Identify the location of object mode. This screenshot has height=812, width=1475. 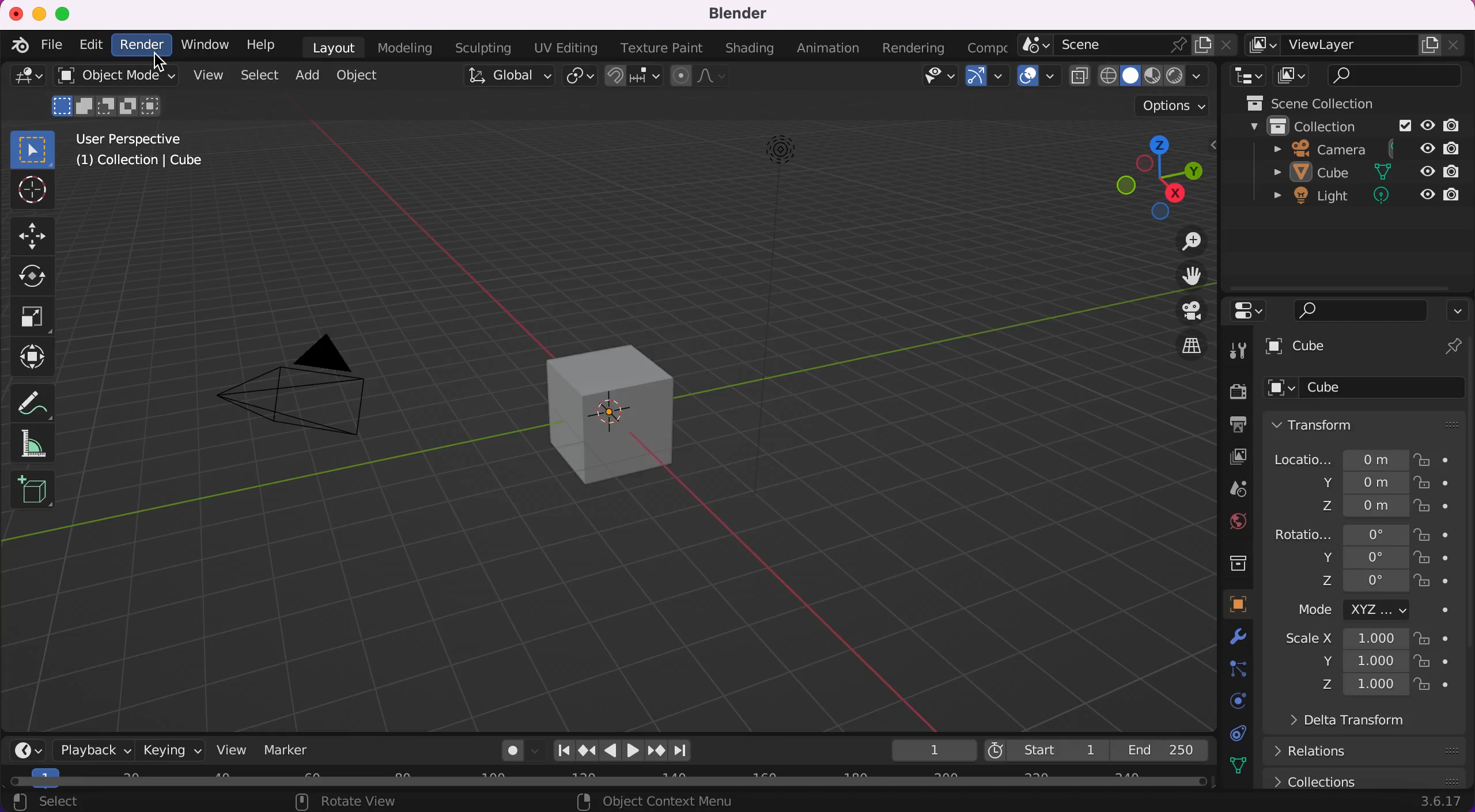
(114, 93).